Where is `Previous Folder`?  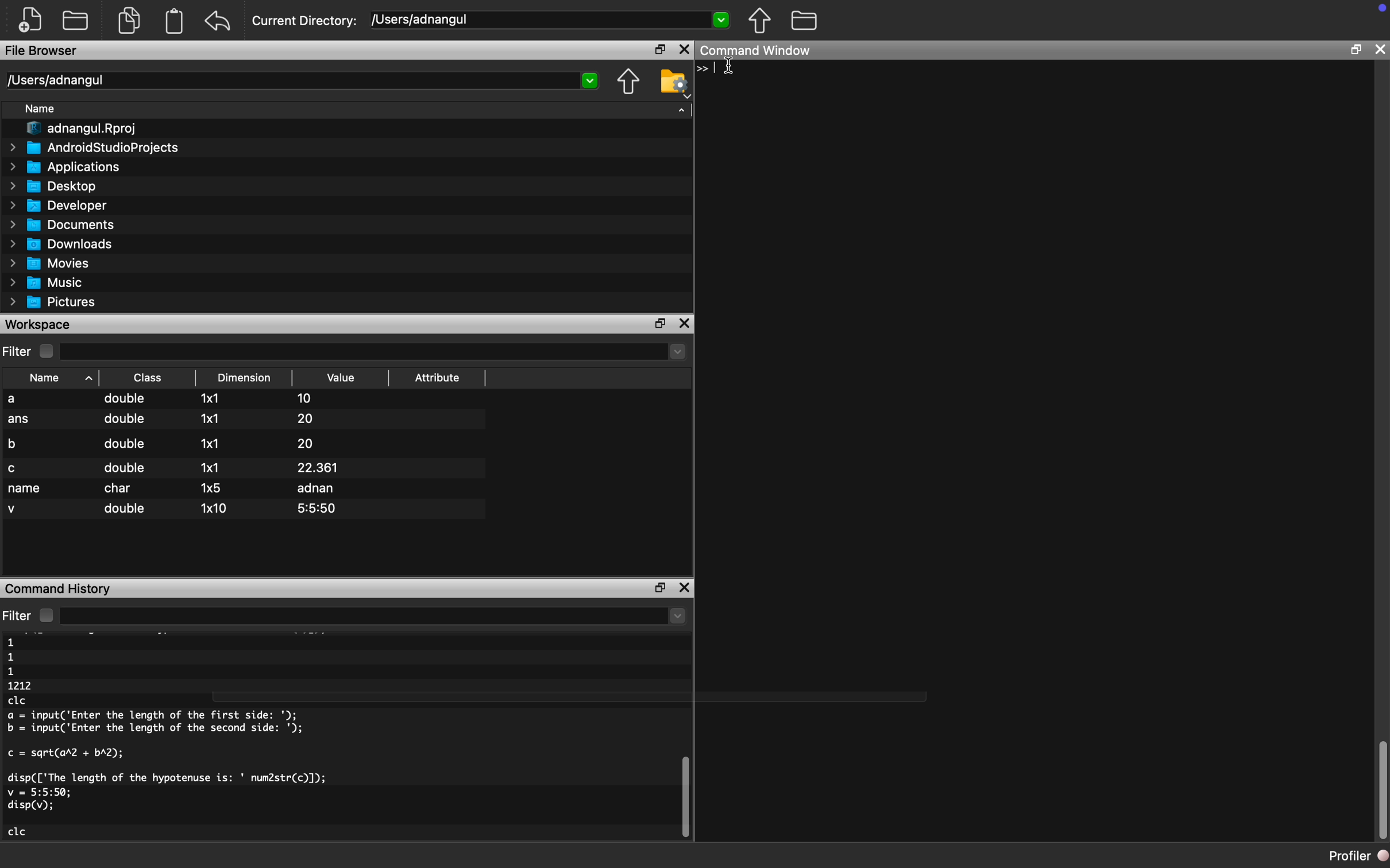
Previous Folder is located at coordinates (627, 82).